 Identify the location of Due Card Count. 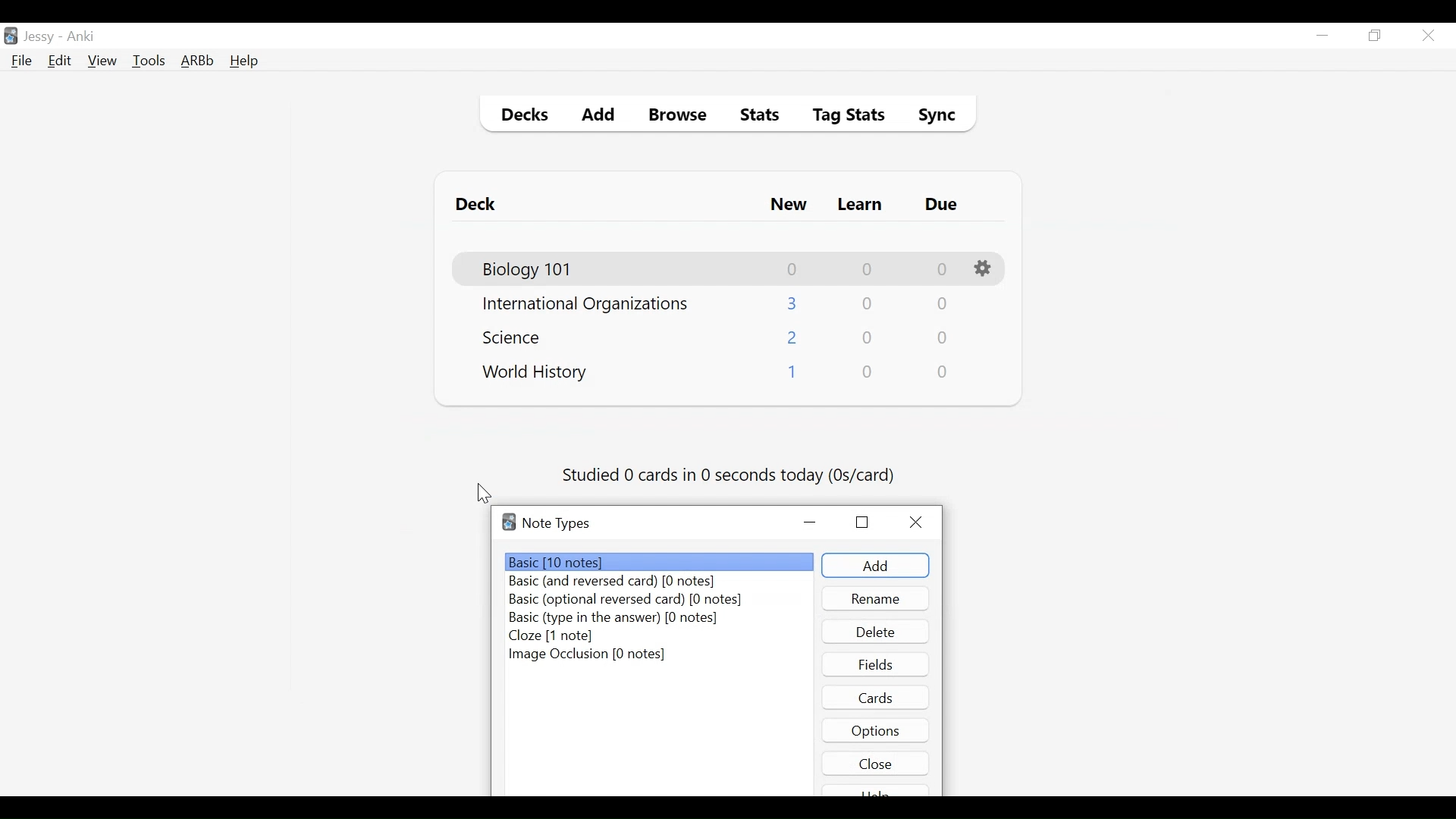
(941, 306).